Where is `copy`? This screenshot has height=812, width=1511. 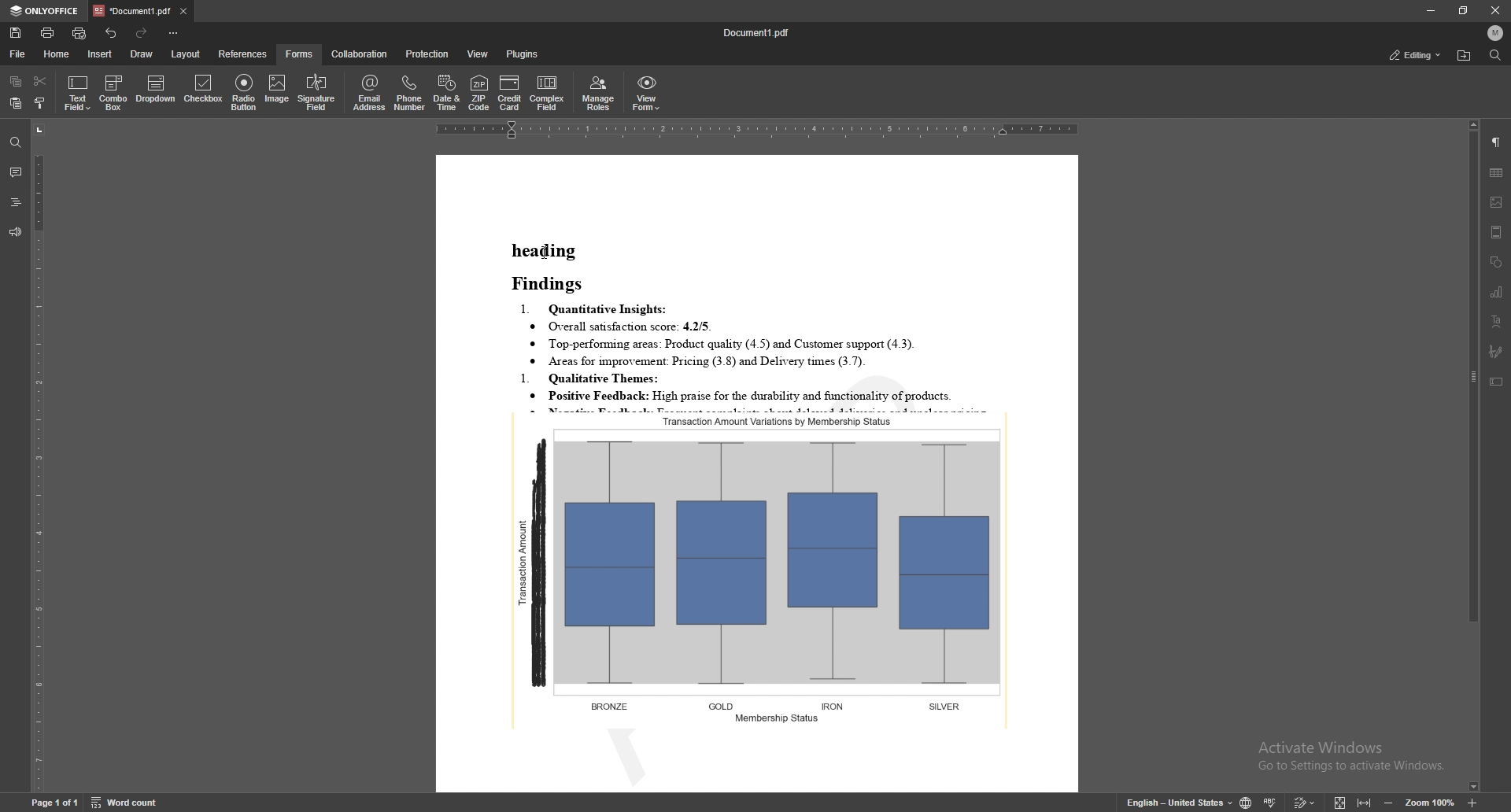 copy is located at coordinates (16, 82).